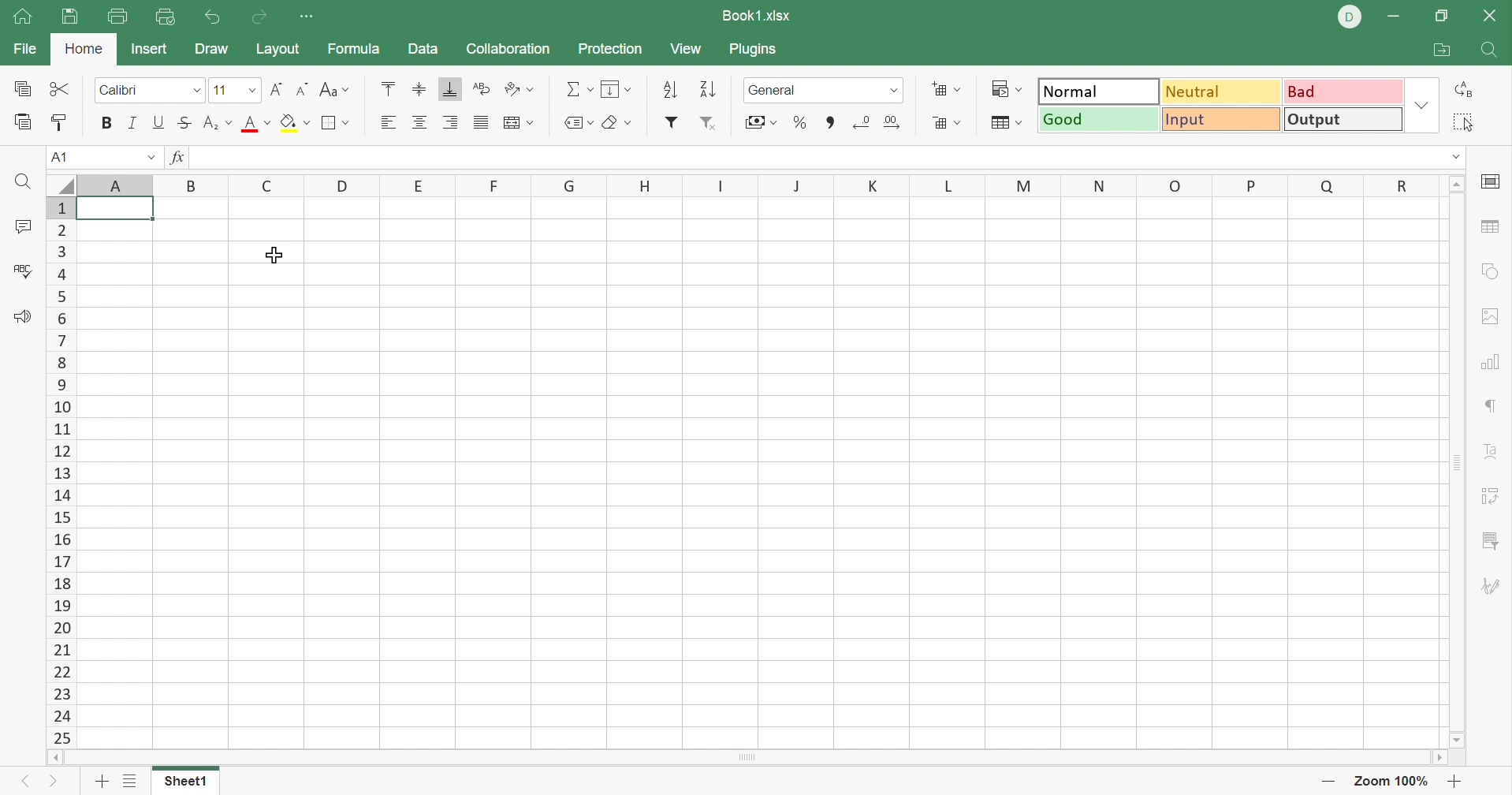 This screenshot has height=795, width=1512. Describe the element at coordinates (248, 89) in the screenshot. I see `Drop Down` at that location.